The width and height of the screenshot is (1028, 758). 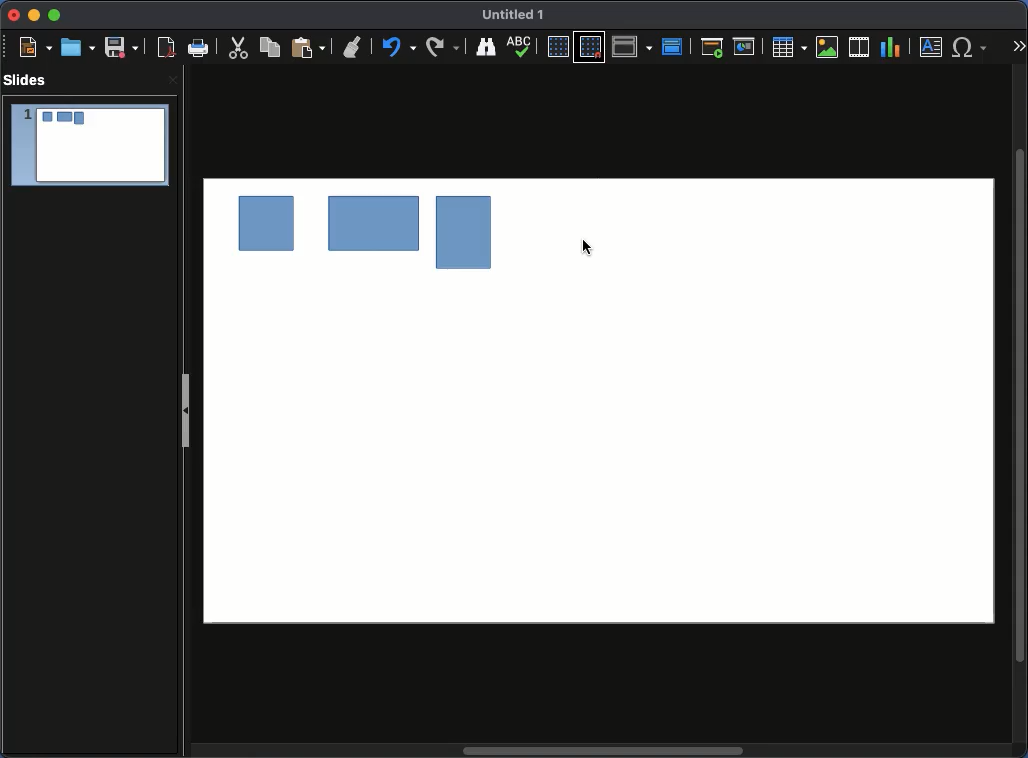 I want to click on More, so click(x=1020, y=46).